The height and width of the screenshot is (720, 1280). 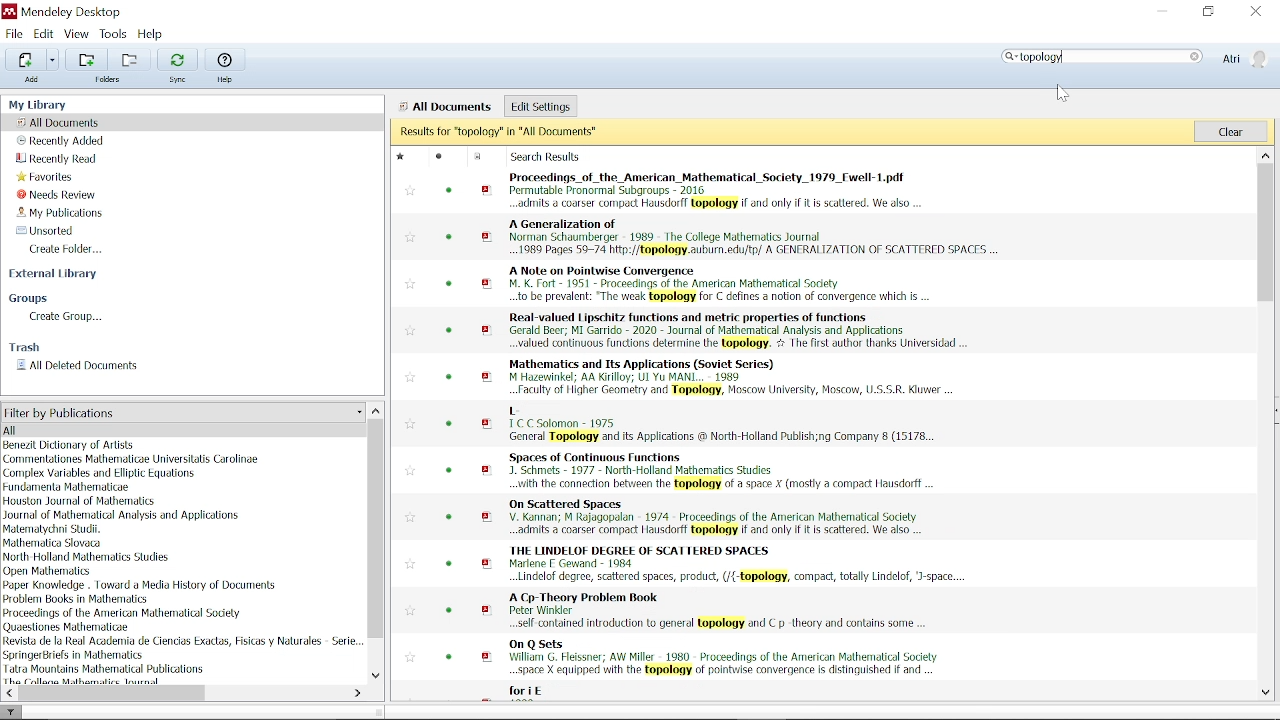 What do you see at coordinates (1245, 58) in the screenshot?
I see `Profile` at bounding box center [1245, 58].